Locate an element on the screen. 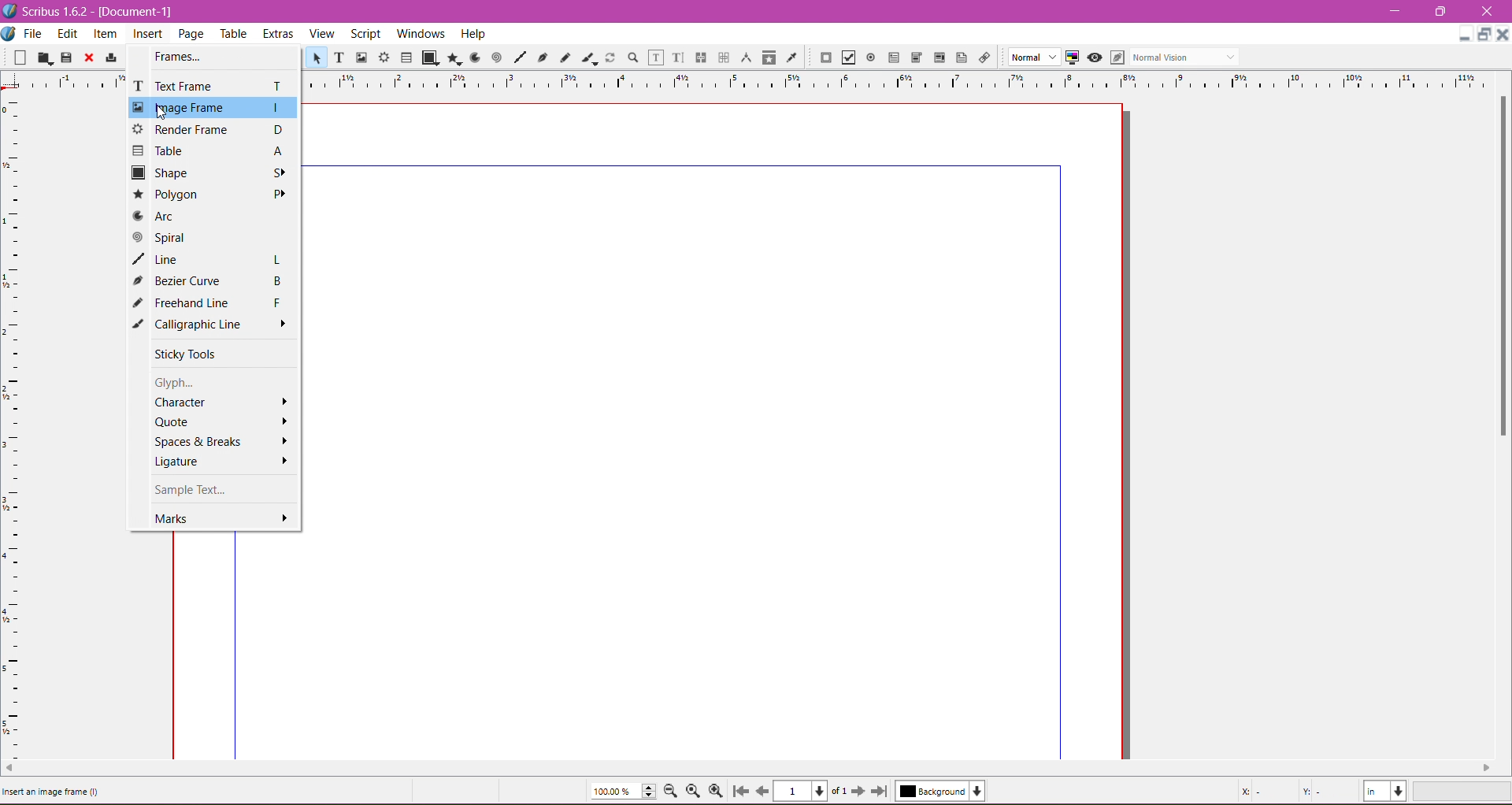  Zoom Out by the stepping value in Tools preferences is located at coordinates (672, 791).